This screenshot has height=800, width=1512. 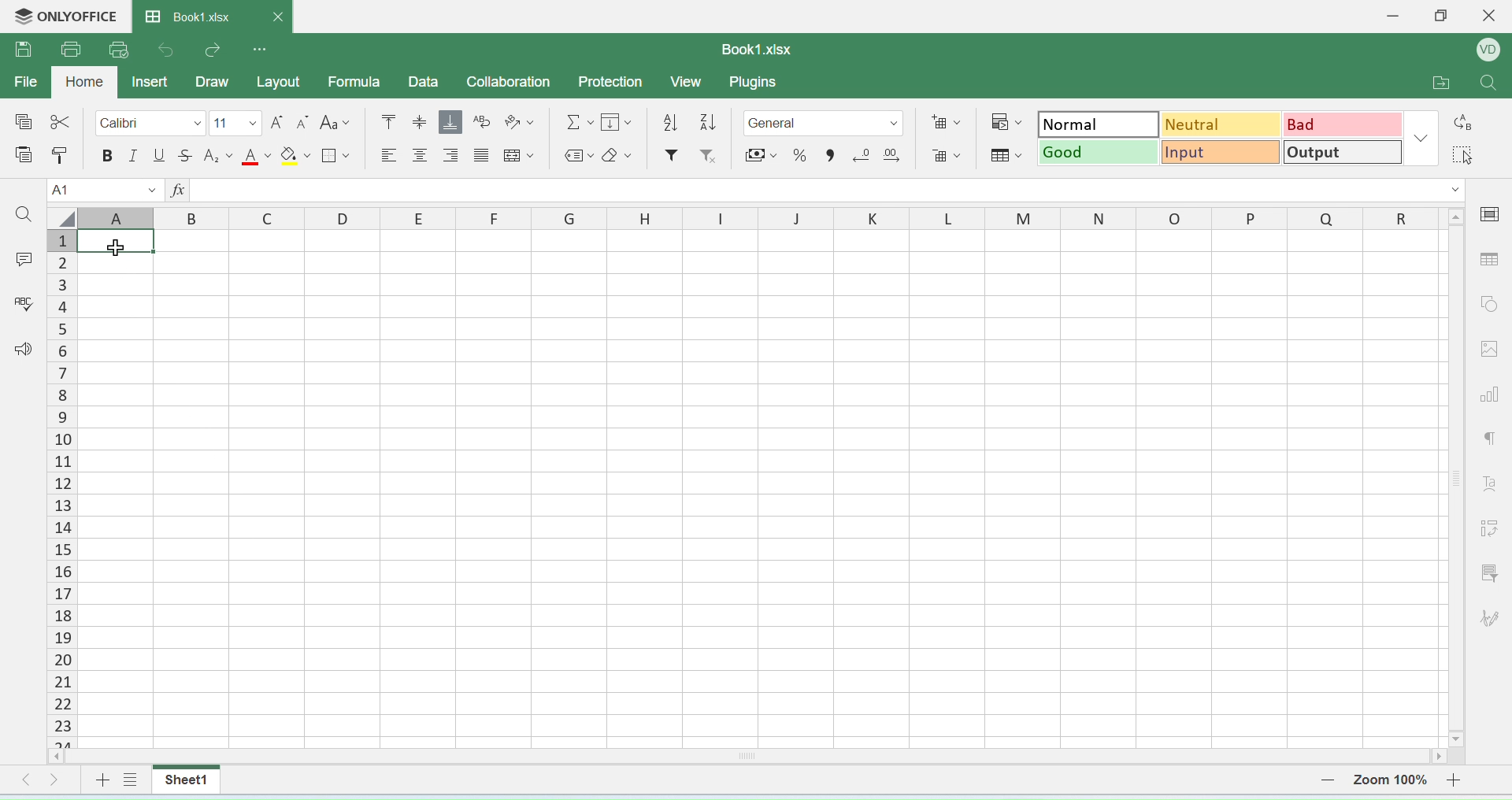 What do you see at coordinates (65, 490) in the screenshot?
I see `columns number` at bounding box center [65, 490].